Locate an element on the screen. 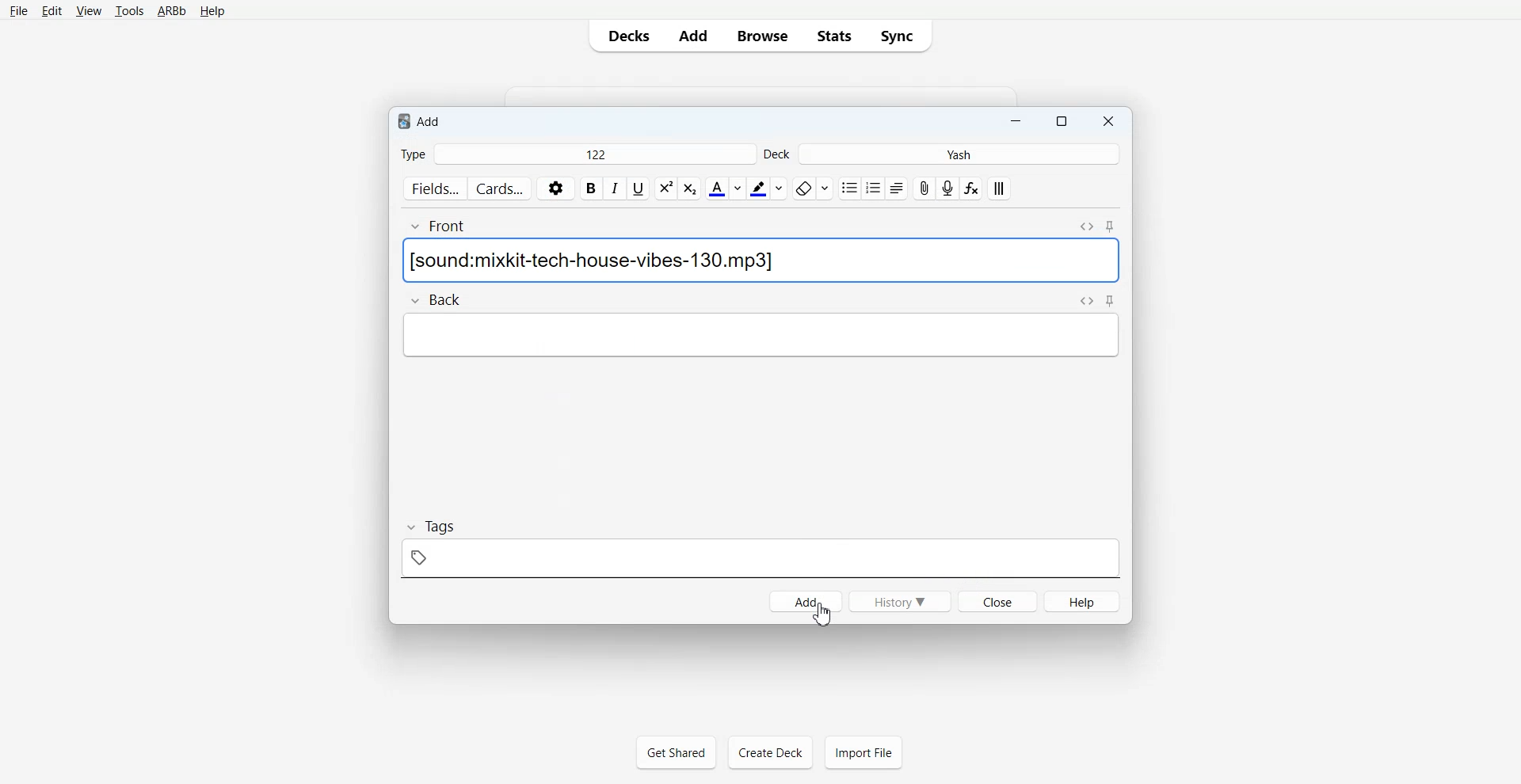  Get Shared is located at coordinates (676, 752).